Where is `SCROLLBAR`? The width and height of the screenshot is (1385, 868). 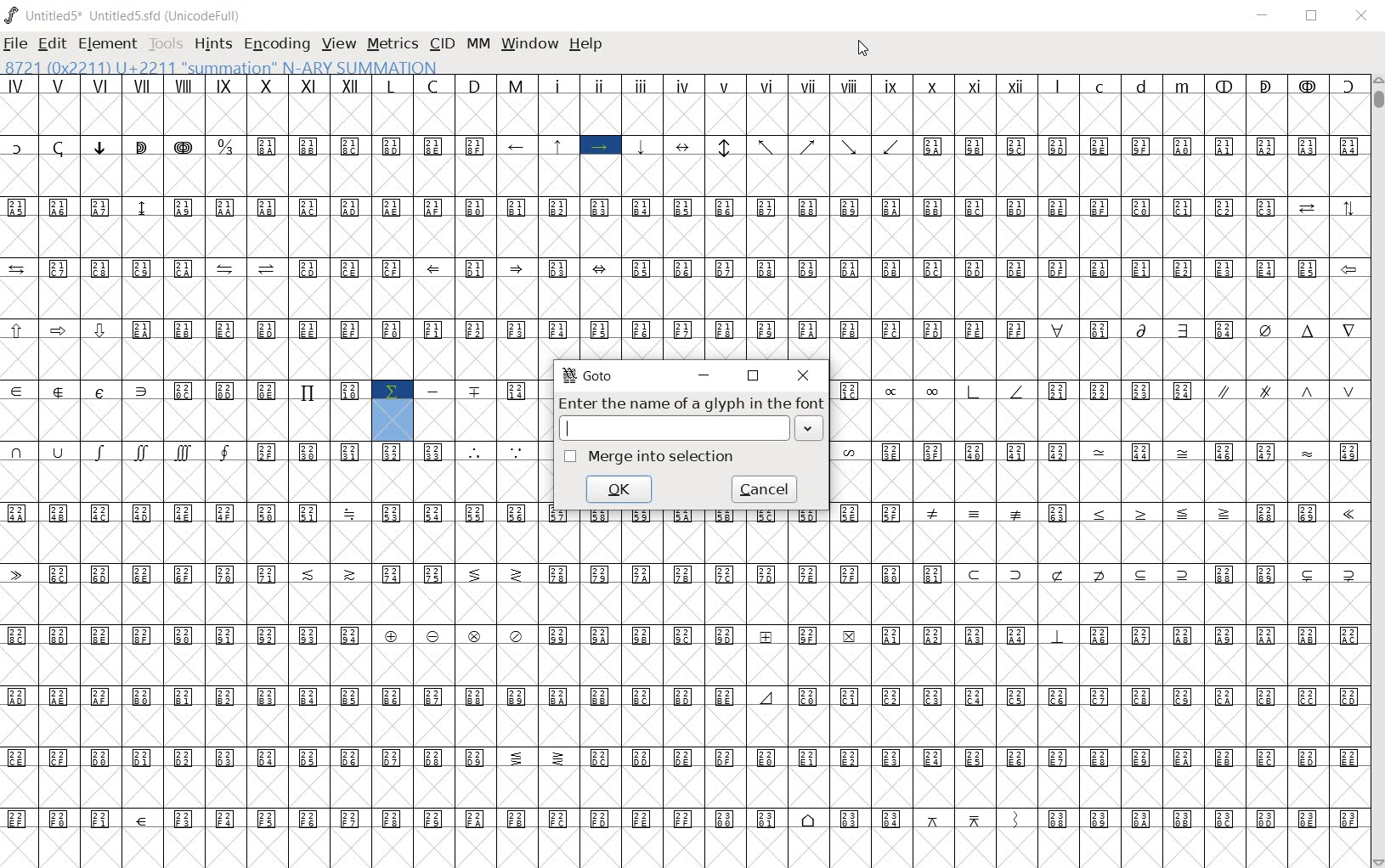 SCROLLBAR is located at coordinates (1377, 471).